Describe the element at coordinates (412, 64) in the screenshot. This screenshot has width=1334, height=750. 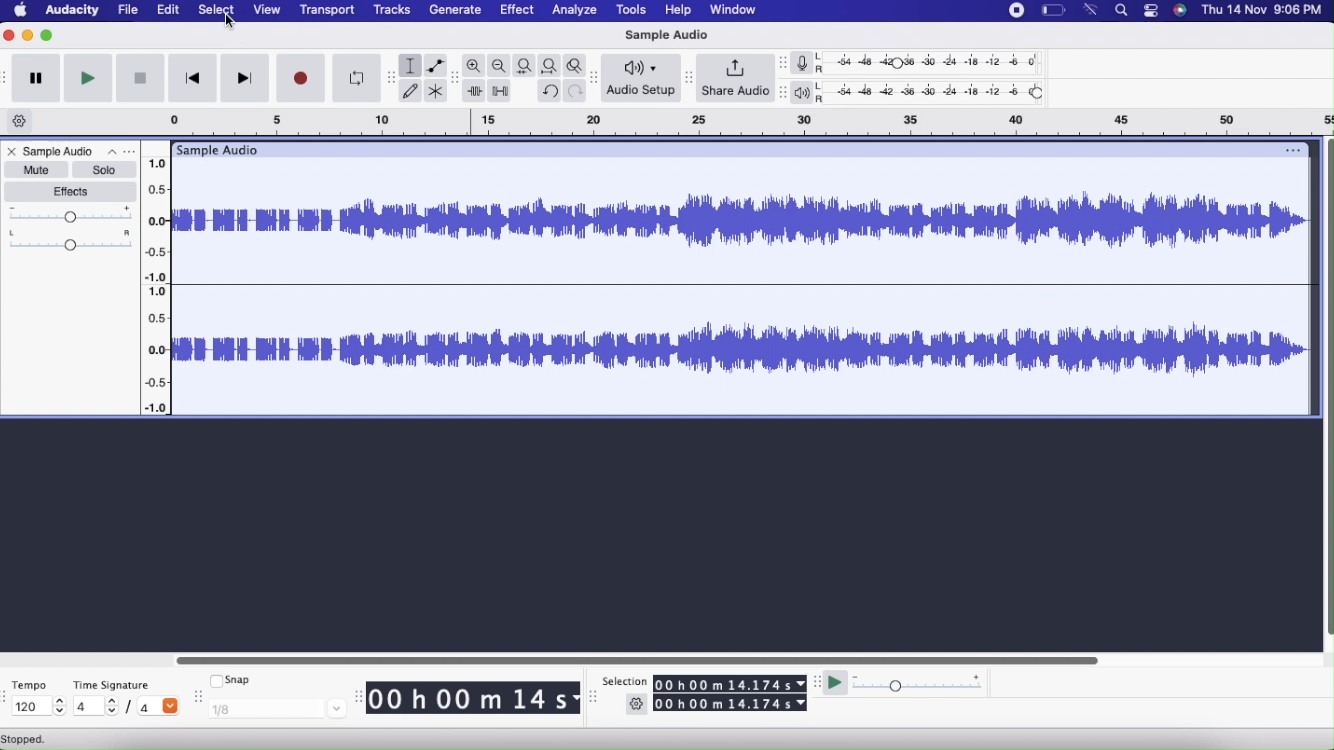
I see `Selection tool` at that location.